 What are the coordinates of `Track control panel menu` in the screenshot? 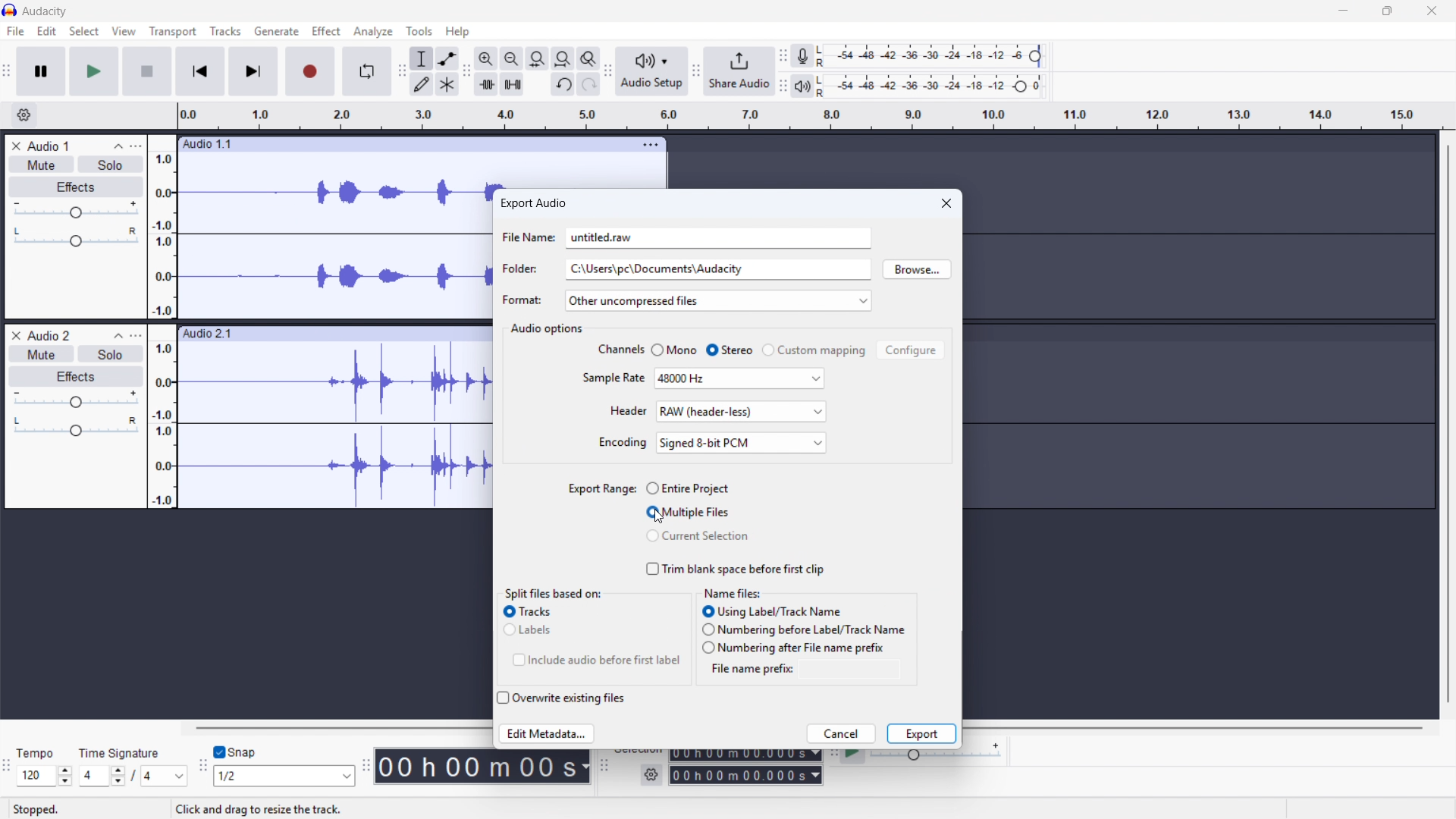 It's located at (136, 146).